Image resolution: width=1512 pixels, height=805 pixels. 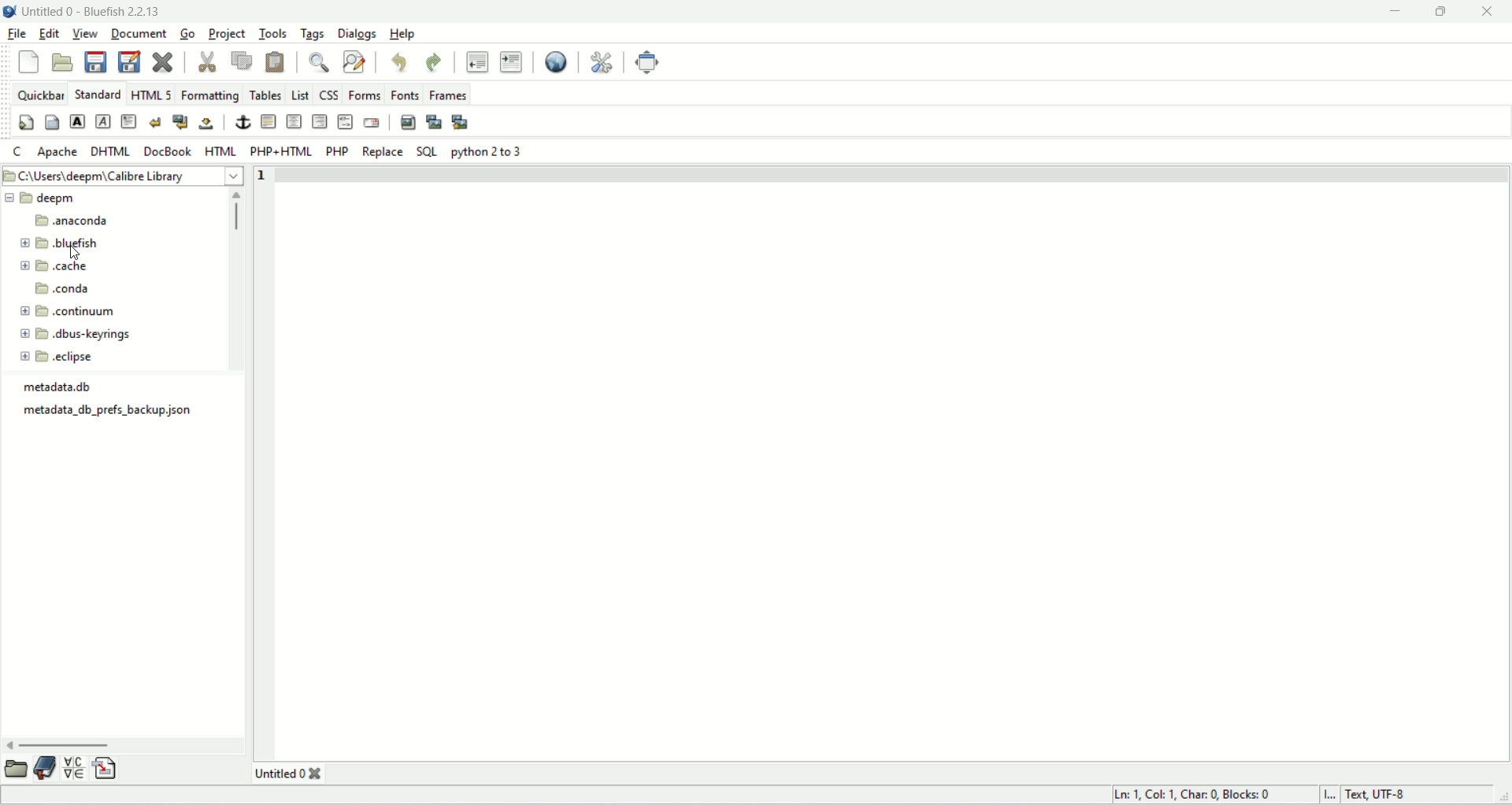 What do you see at coordinates (45, 199) in the screenshot?
I see `eepm` at bounding box center [45, 199].